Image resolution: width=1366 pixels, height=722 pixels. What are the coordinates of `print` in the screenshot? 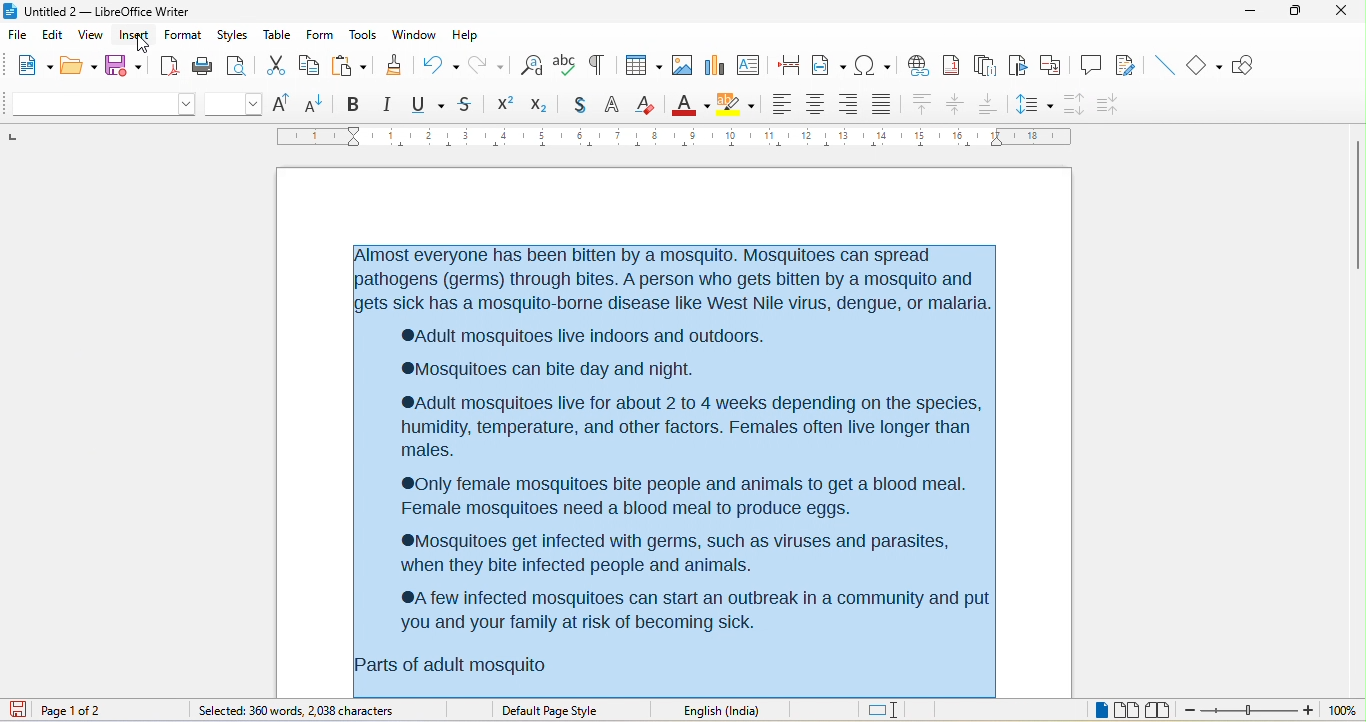 It's located at (203, 64).